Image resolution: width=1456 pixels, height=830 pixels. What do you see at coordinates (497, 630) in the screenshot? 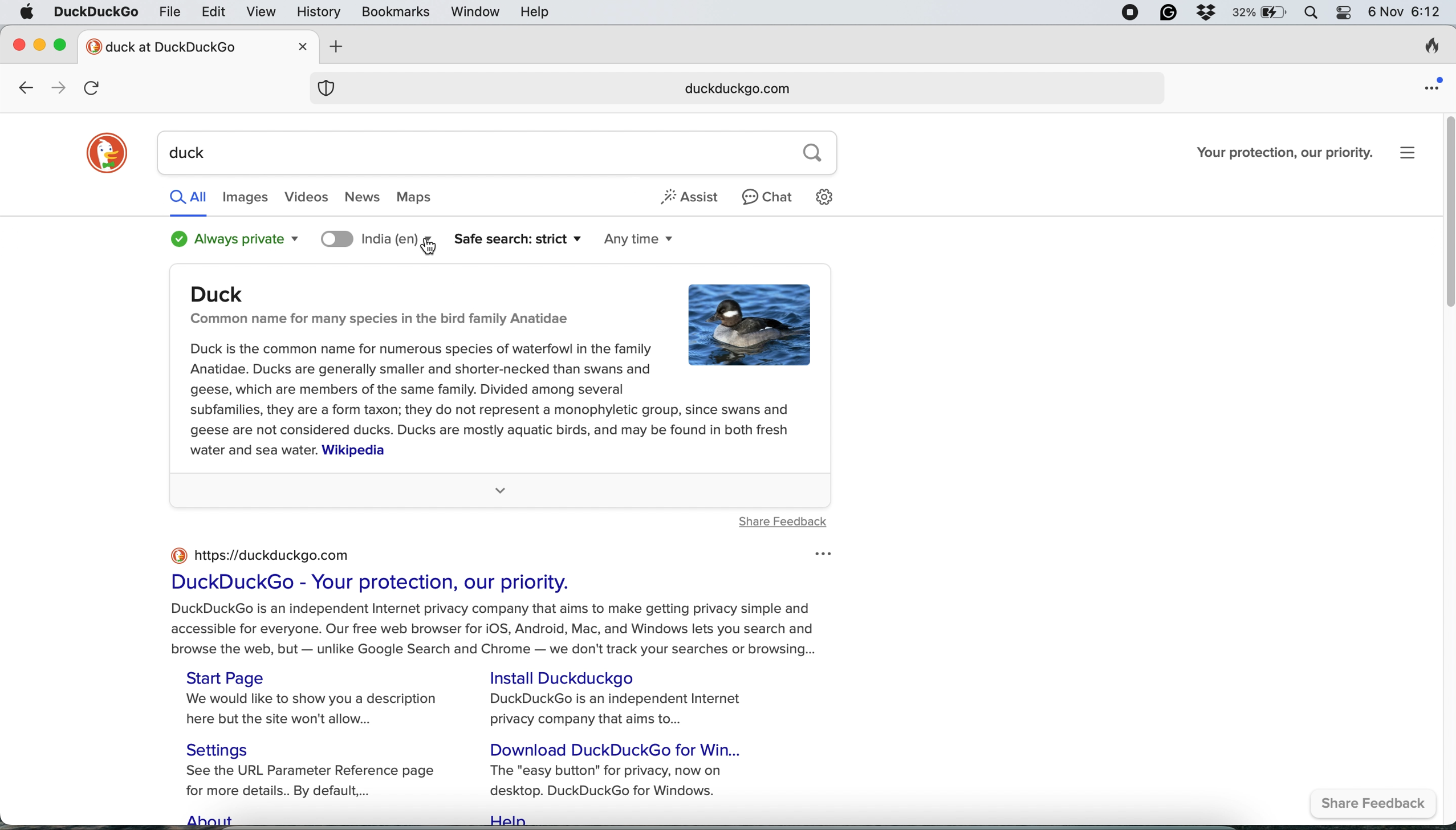
I see `DuckDuckGo is an independent Internet privacy company that aims to make getting privacy simple and
accessible for everyone. Our free web browser for iOS, Android, Mac, and Windows lets you search and
browse the web, but — unlike Google Search and Chrome — we don't track your searches or browsing...` at bounding box center [497, 630].